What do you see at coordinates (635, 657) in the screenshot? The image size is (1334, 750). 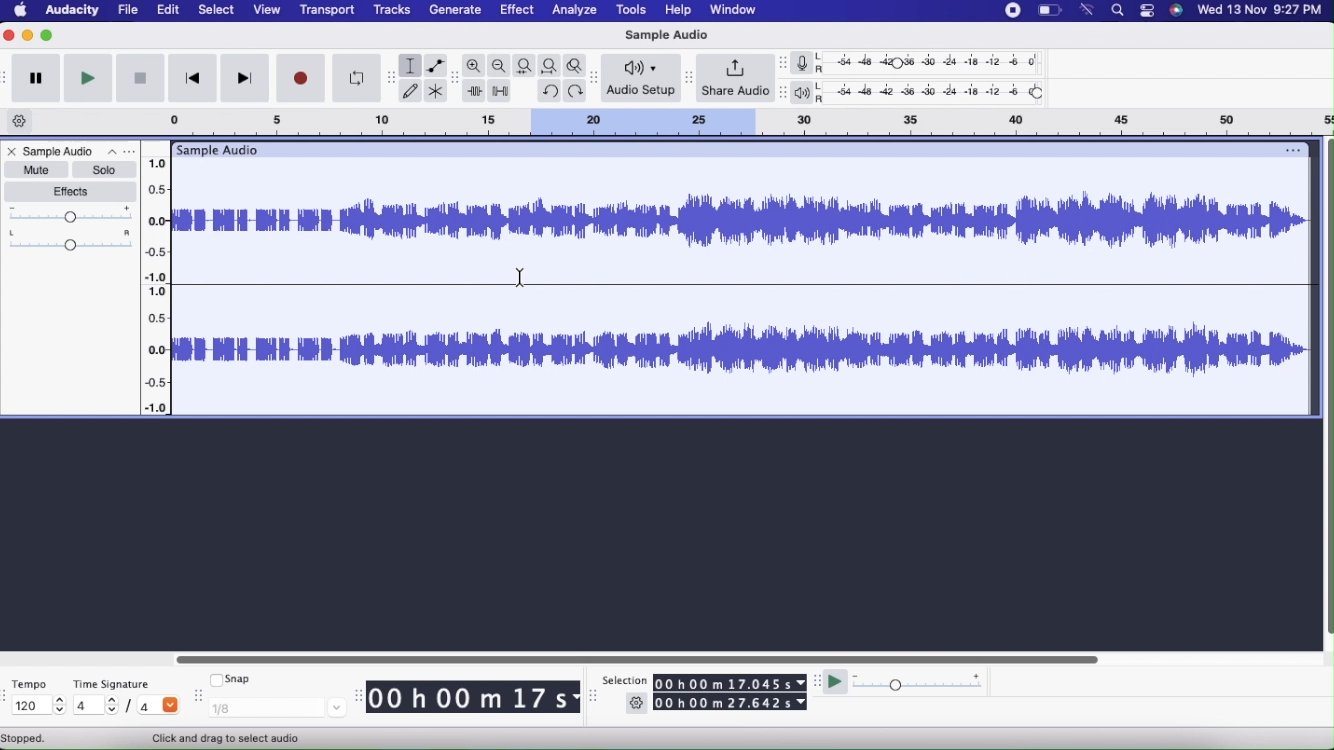 I see `Slider` at bounding box center [635, 657].